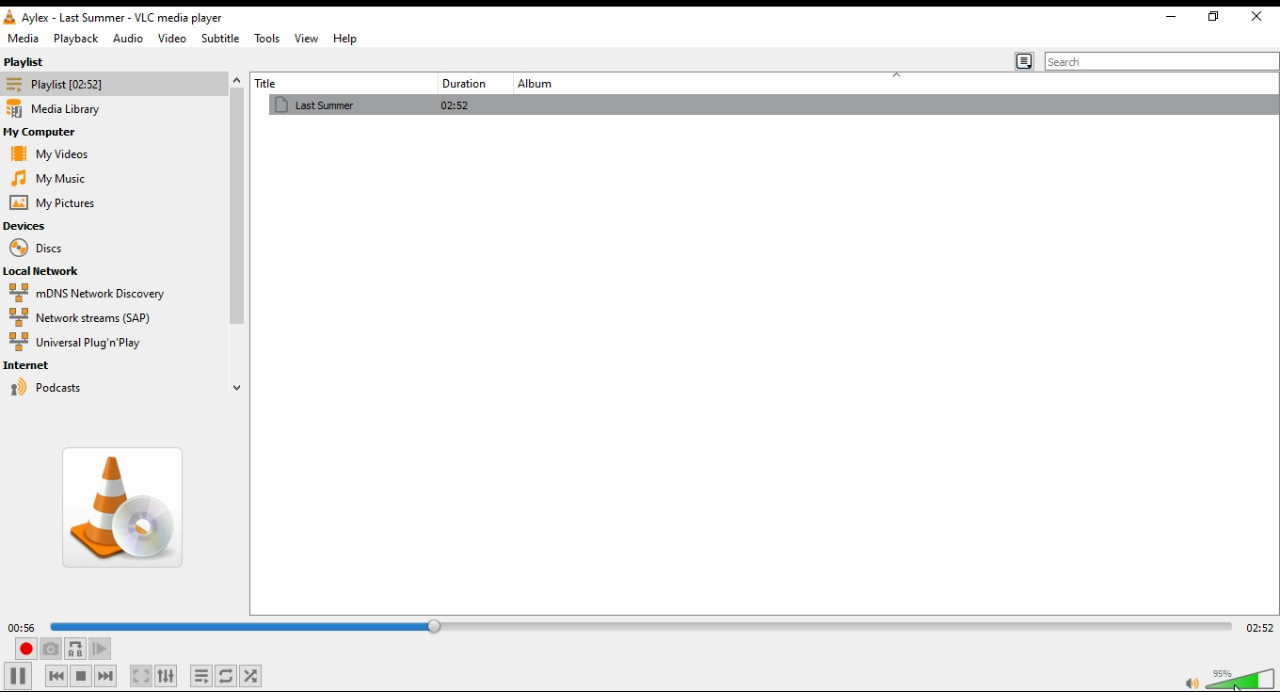 This screenshot has width=1280, height=692. What do you see at coordinates (346, 38) in the screenshot?
I see `help` at bounding box center [346, 38].